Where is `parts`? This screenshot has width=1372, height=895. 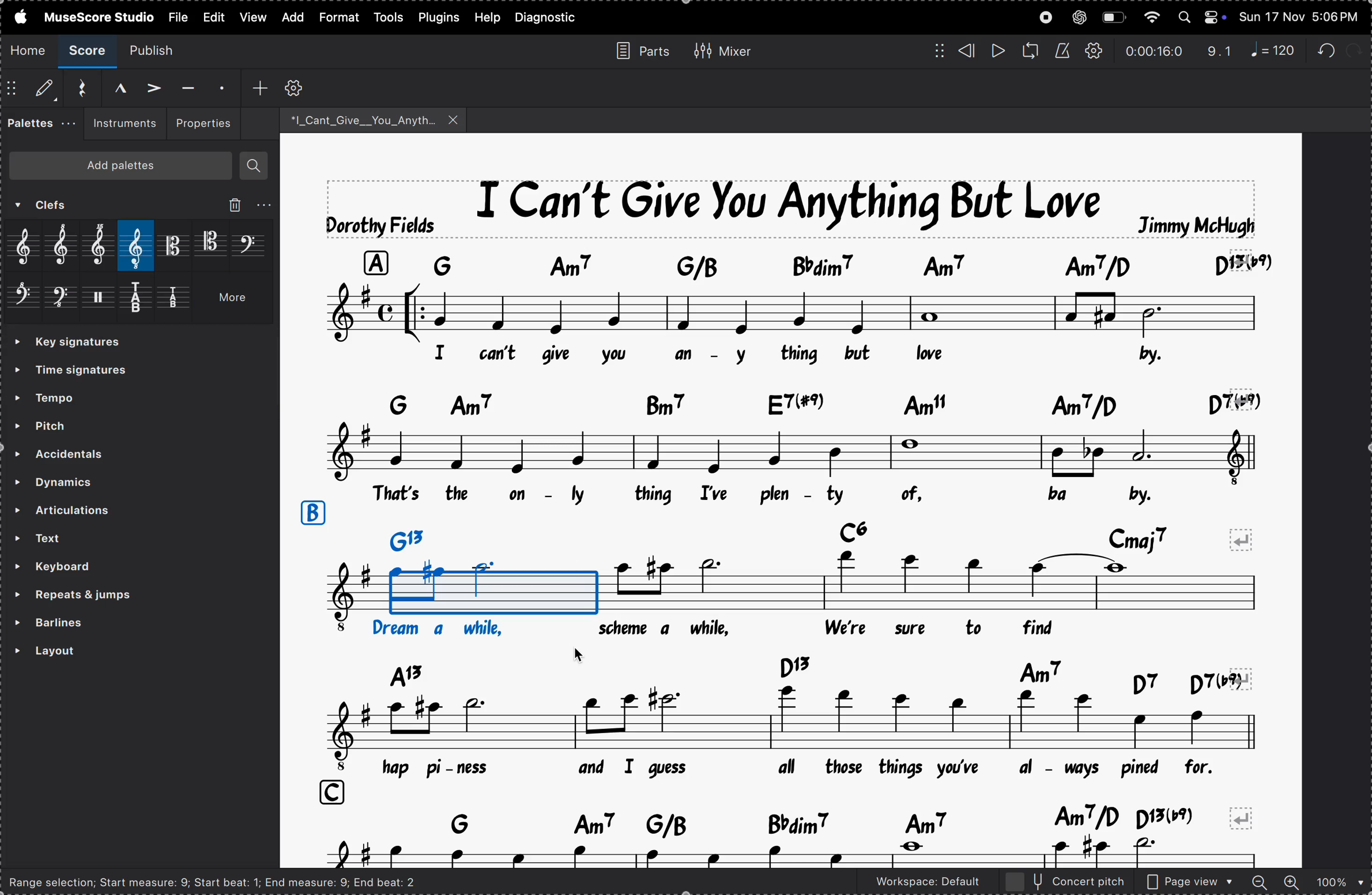
parts is located at coordinates (638, 50).